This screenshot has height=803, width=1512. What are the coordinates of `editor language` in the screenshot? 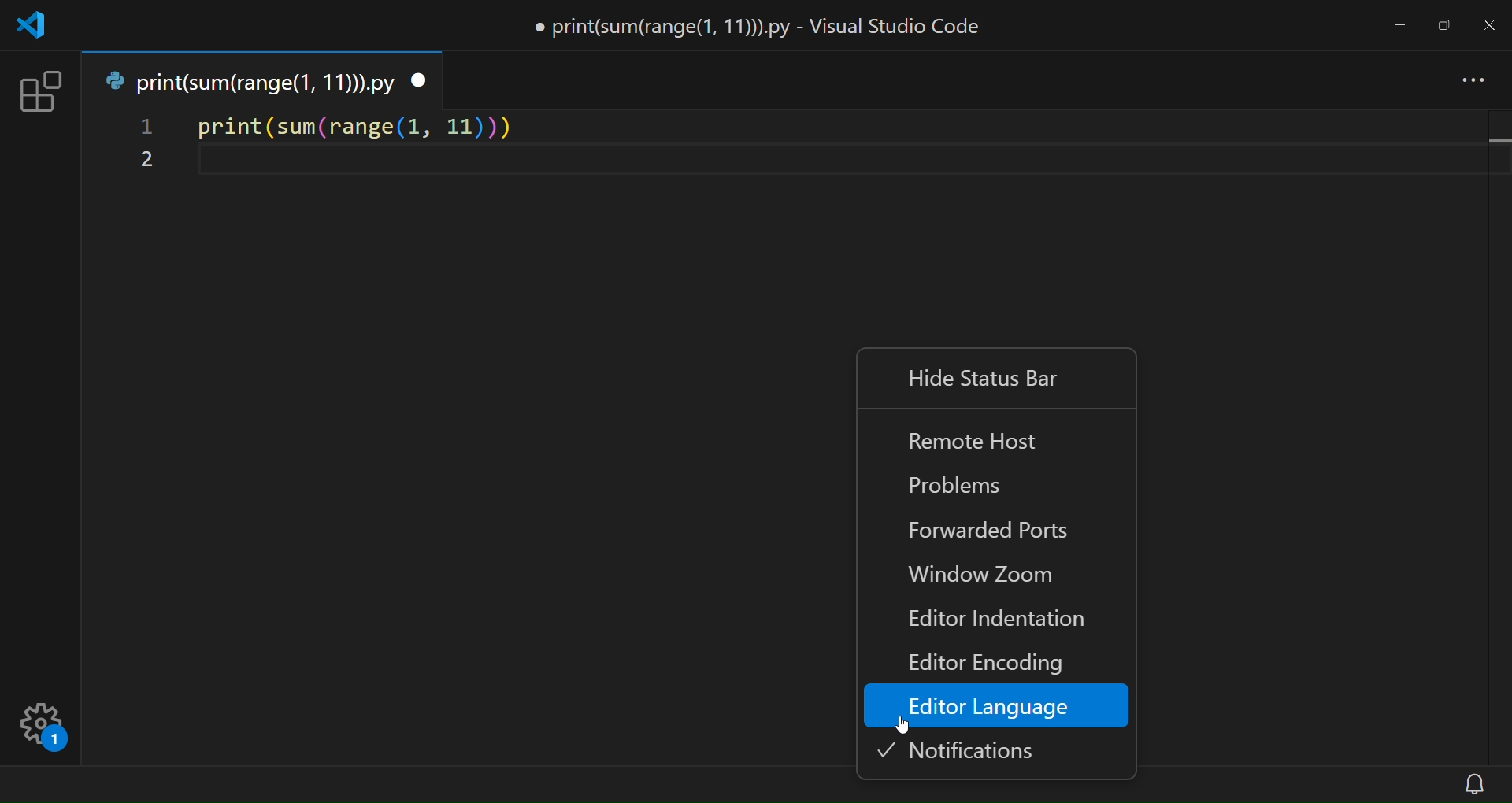 It's located at (995, 705).